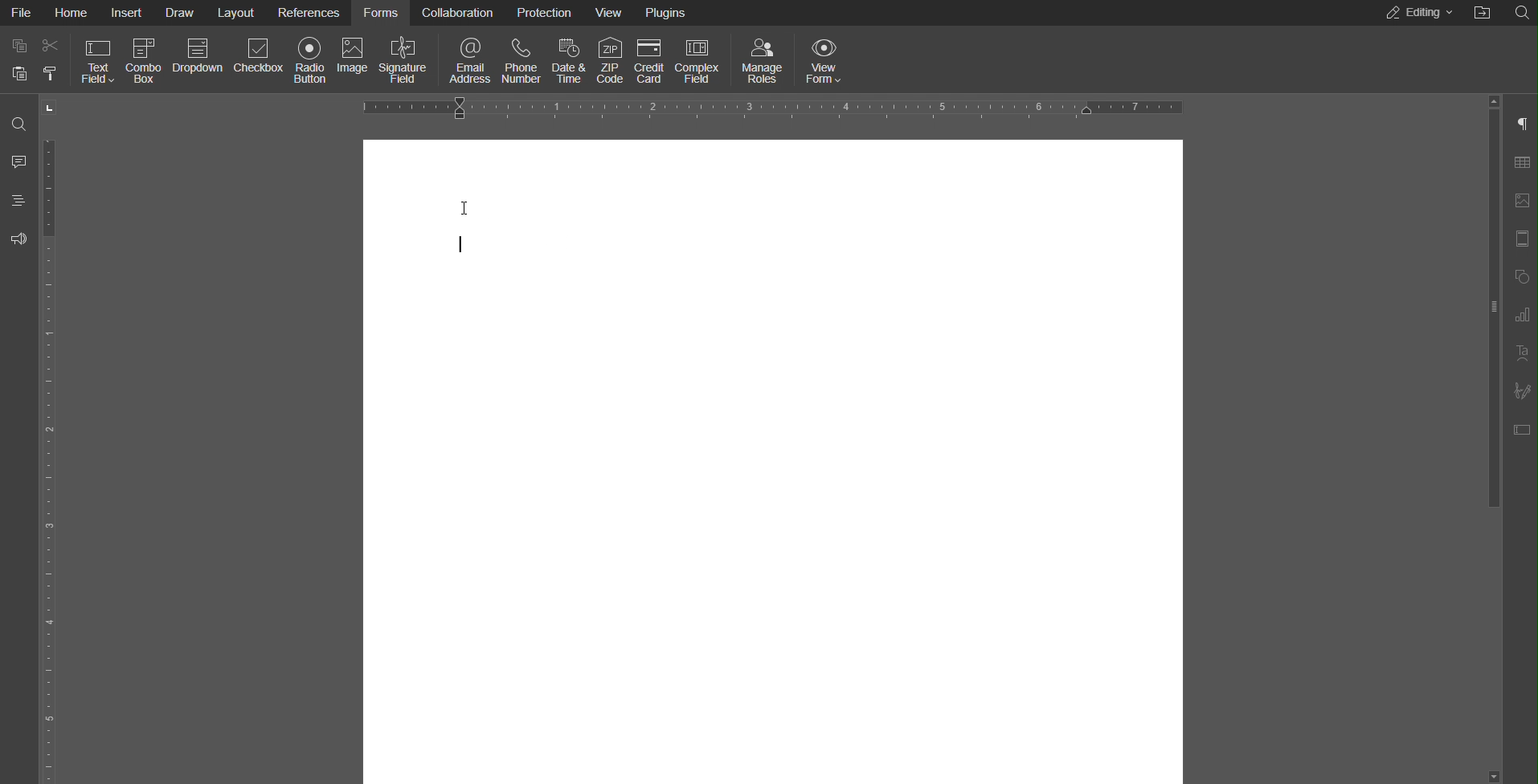 The image size is (1538, 784). What do you see at coordinates (18, 201) in the screenshot?
I see `Headings` at bounding box center [18, 201].